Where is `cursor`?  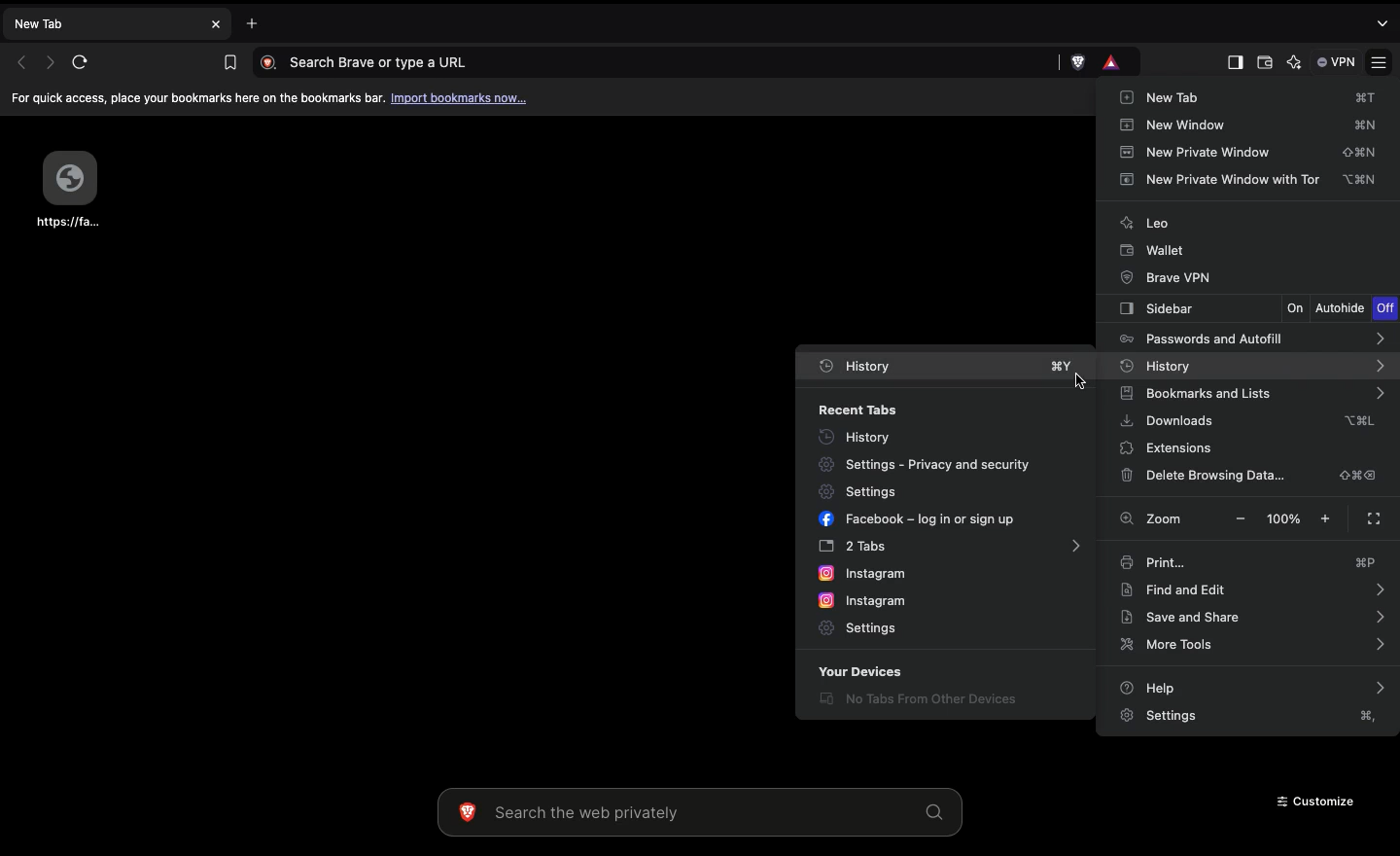
cursor is located at coordinates (1075, 376).